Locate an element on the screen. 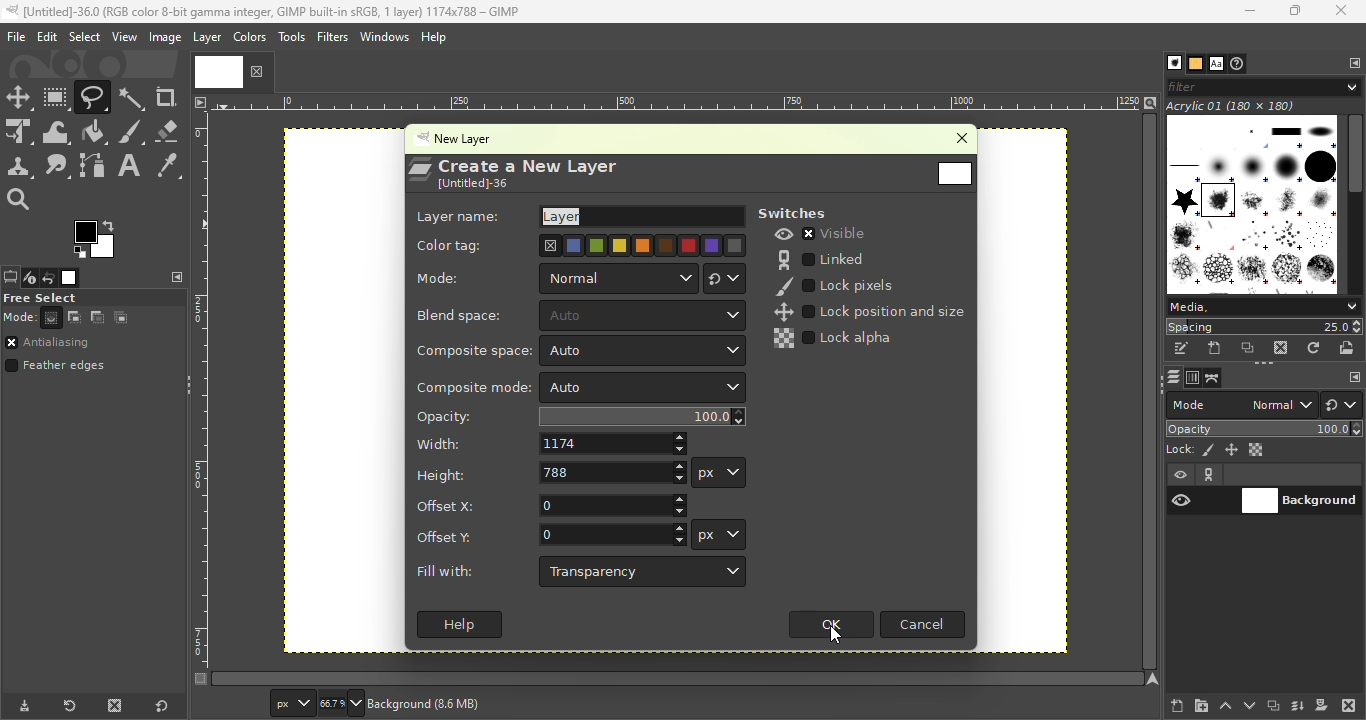 The width and height of the screenshot is (1366, 720). Windows is located at coordinates (384, 37).